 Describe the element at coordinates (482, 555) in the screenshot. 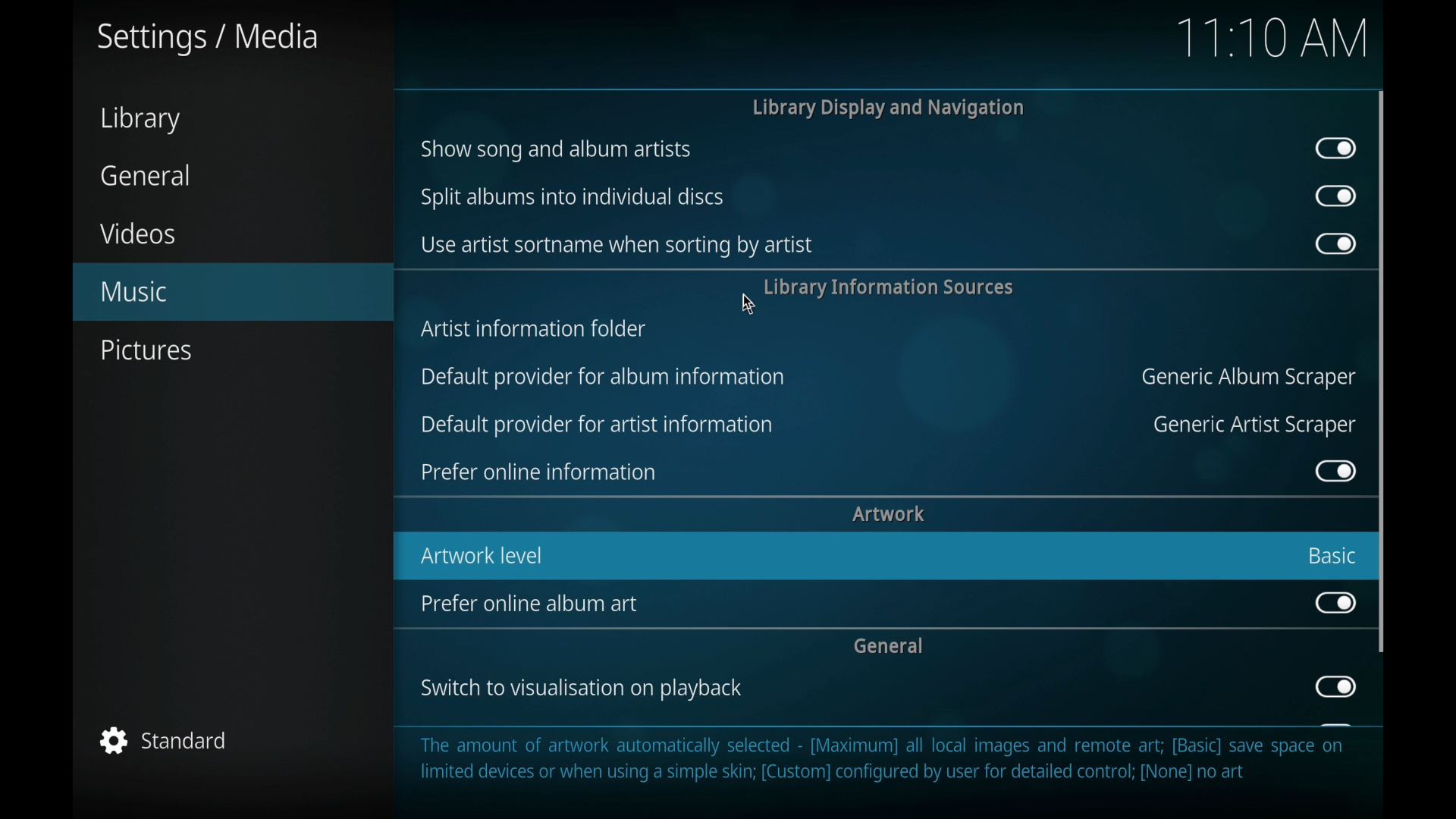

I see `artwork level` at that location.